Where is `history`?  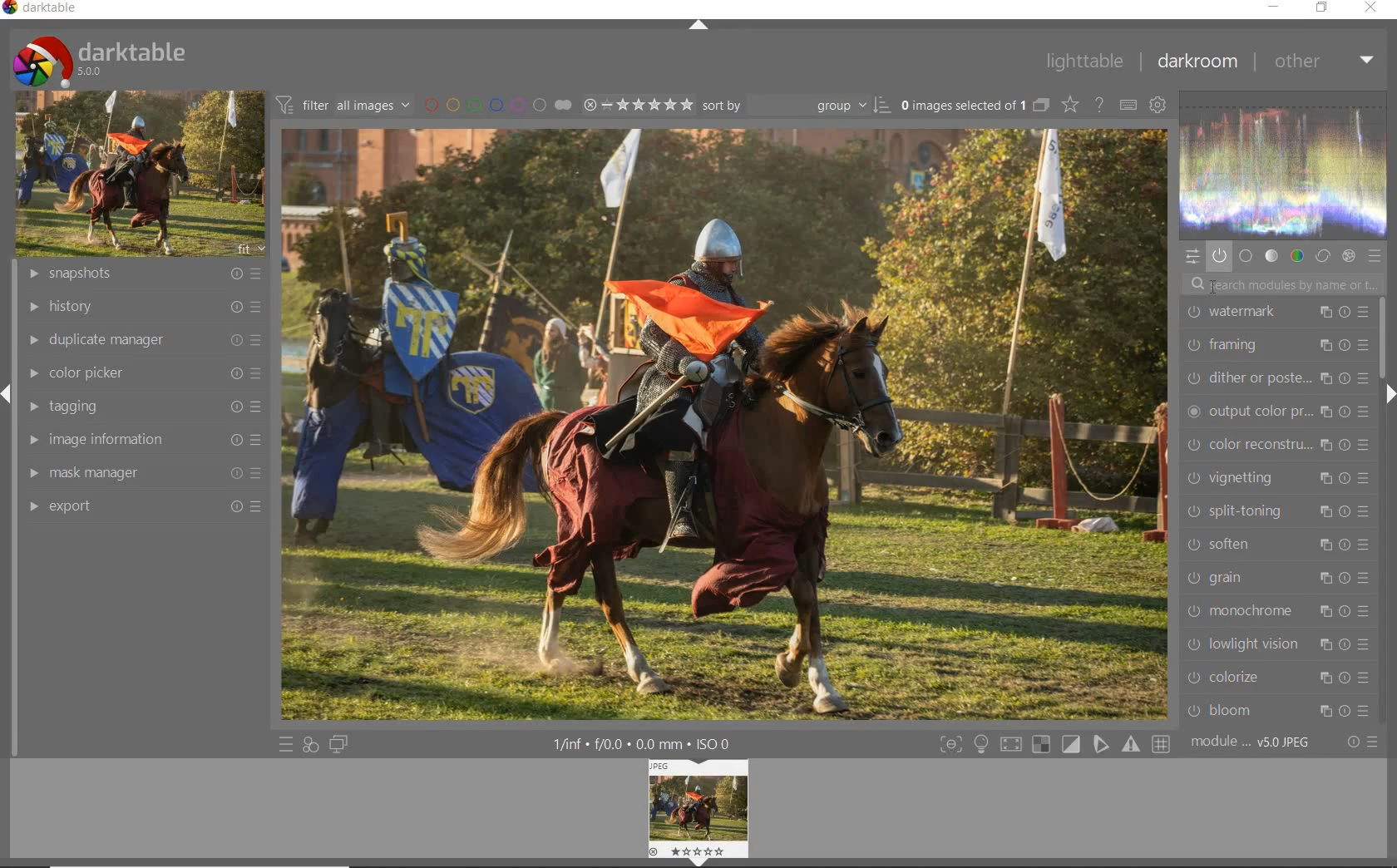 history is located at coordinates (143, 306).